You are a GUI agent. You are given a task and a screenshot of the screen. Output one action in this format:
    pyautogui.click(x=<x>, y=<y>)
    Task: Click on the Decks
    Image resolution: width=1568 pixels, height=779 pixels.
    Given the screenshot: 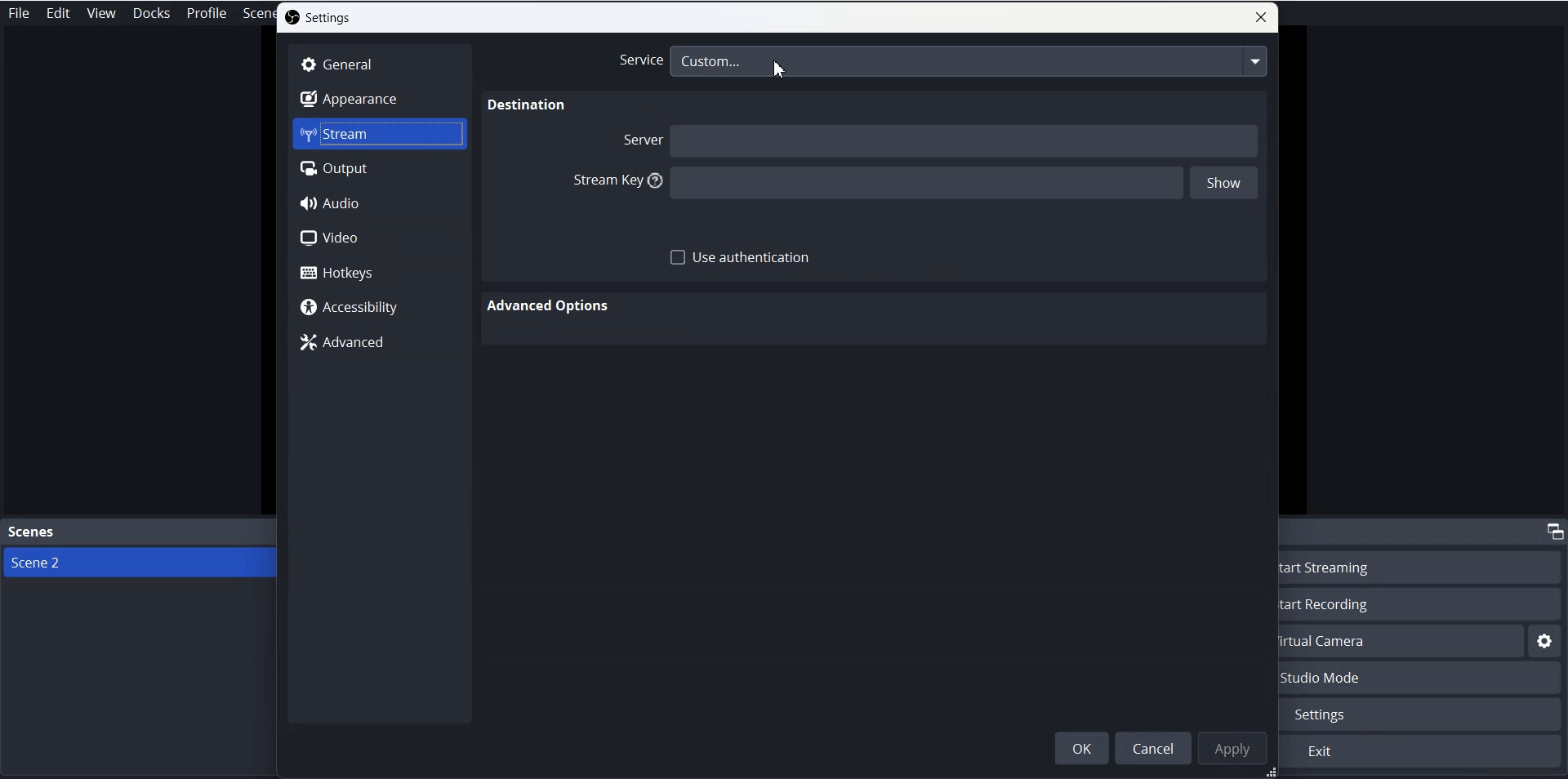 What is the action you would take?
    pyautogui.click(x=152, y=13)
    